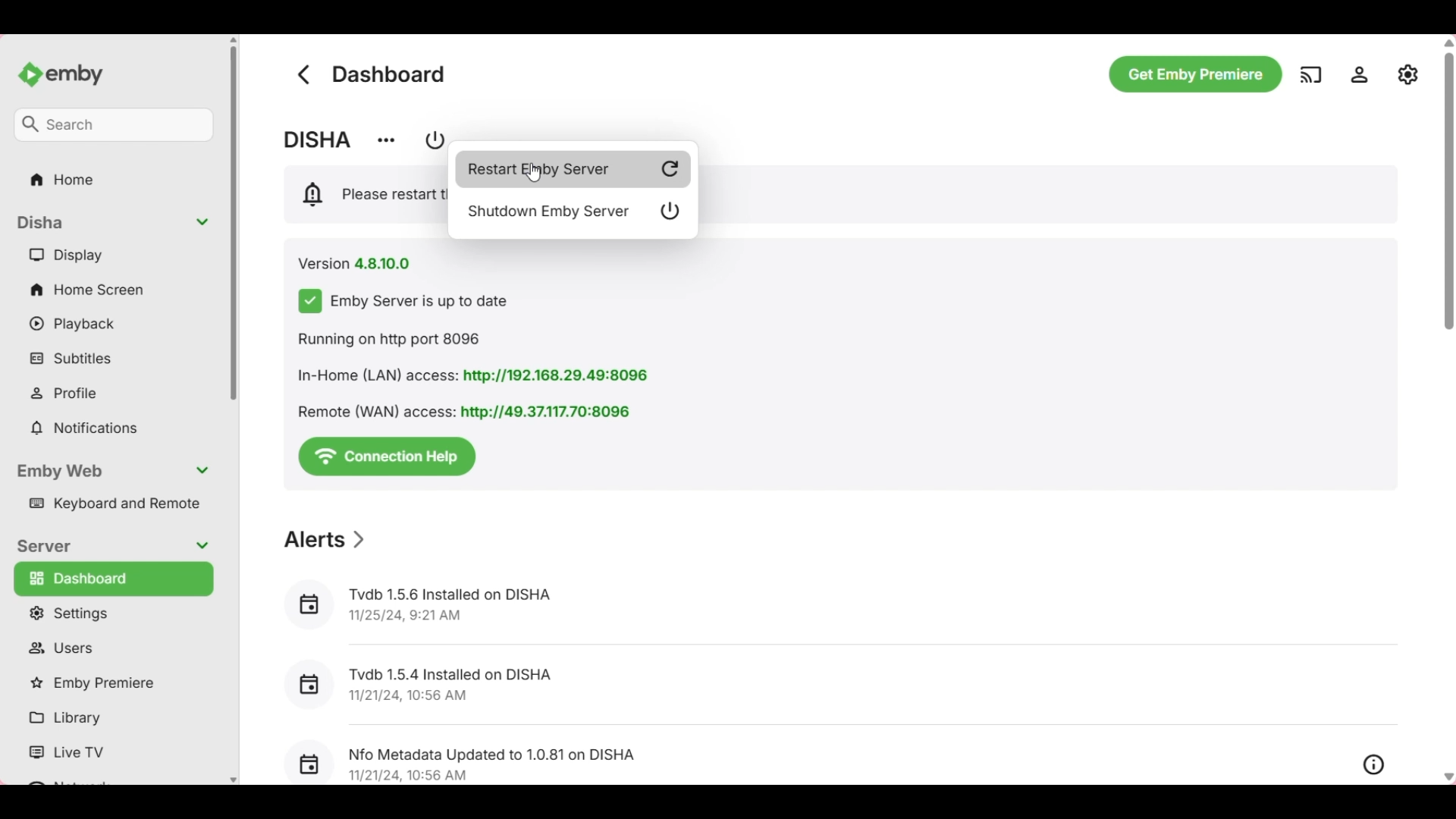 The image size is (1456, 819). I want to click on Subtitles, so click(113, 357).